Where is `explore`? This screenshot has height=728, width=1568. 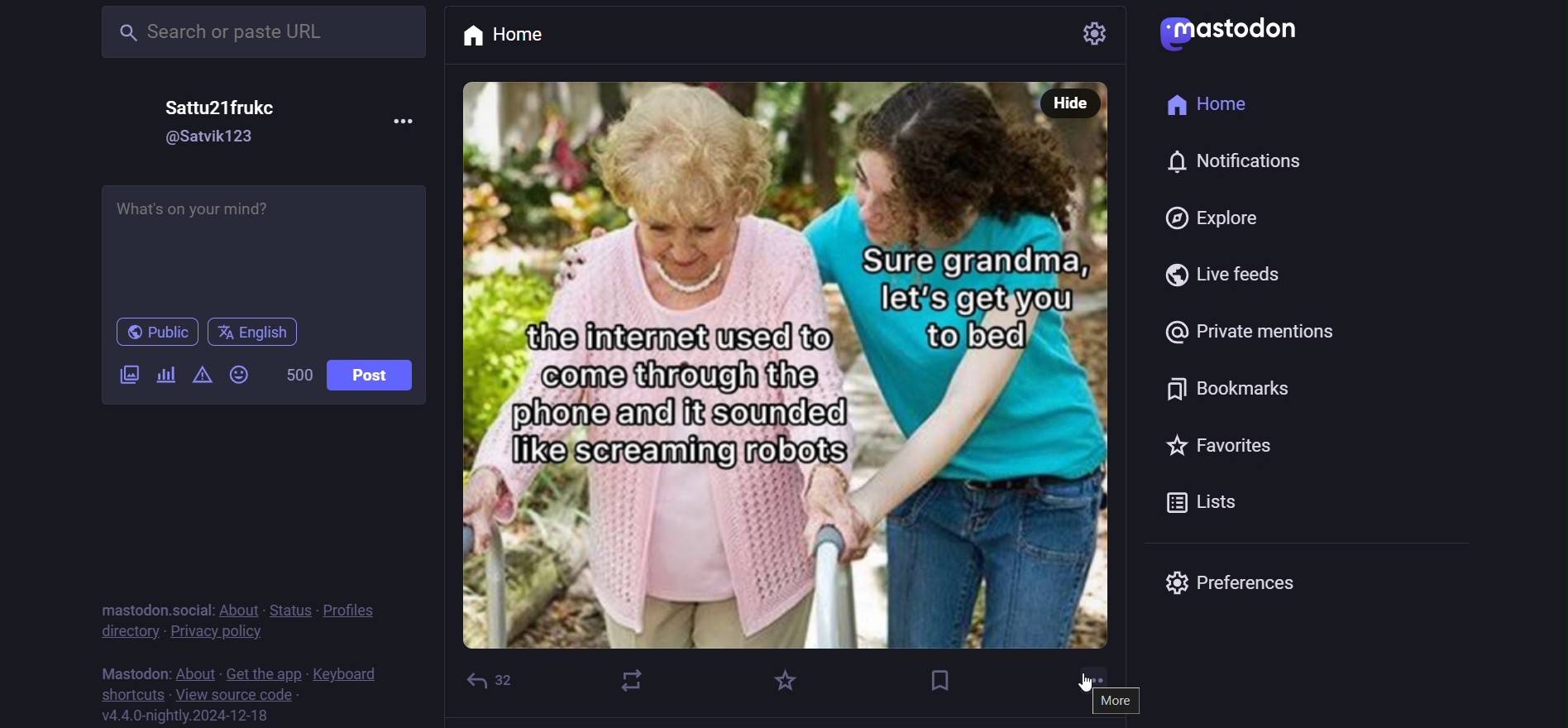
explore is located at coordinates (1212, 218).